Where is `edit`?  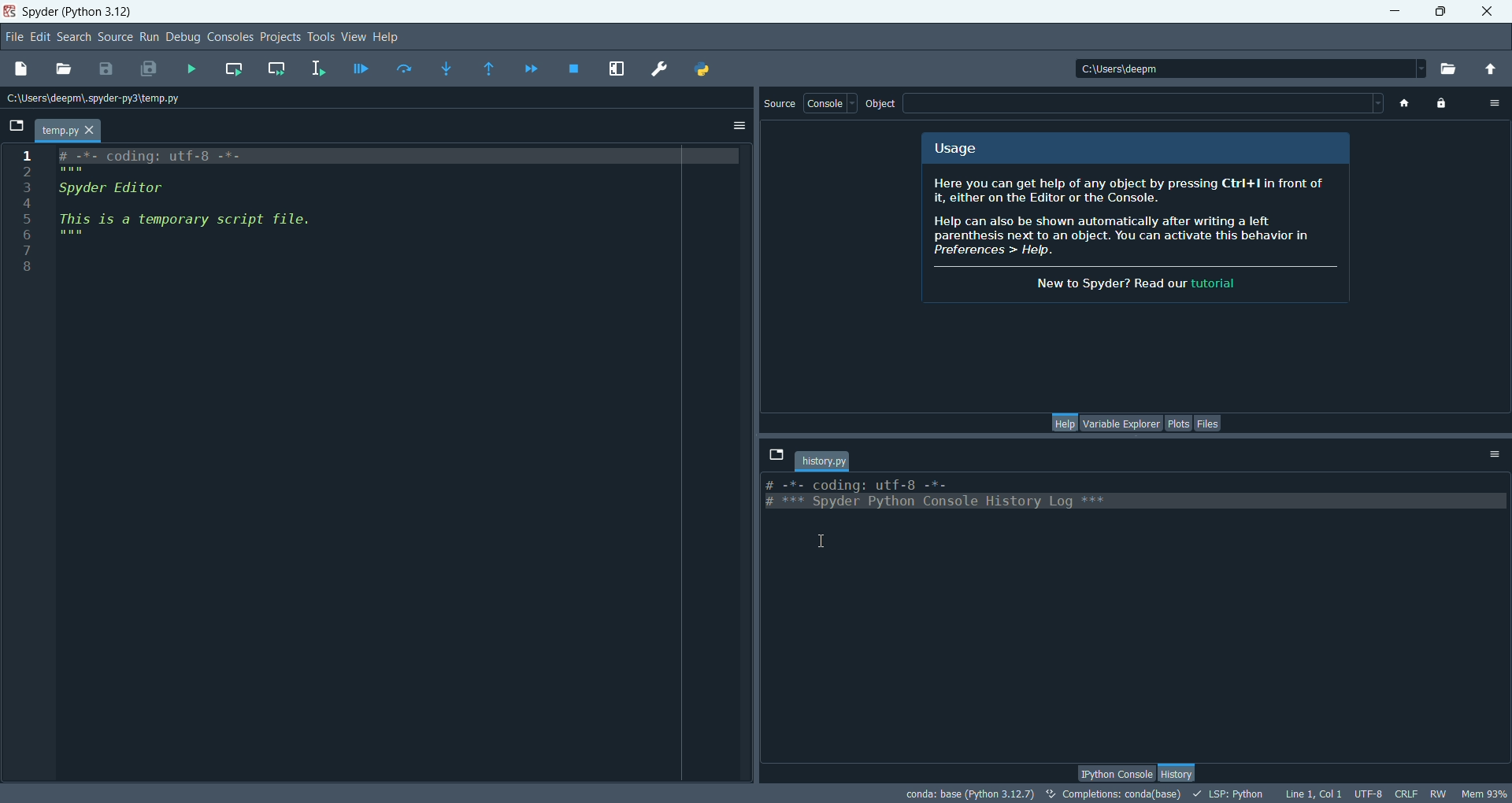 edit is located at coordinates (40, 38).